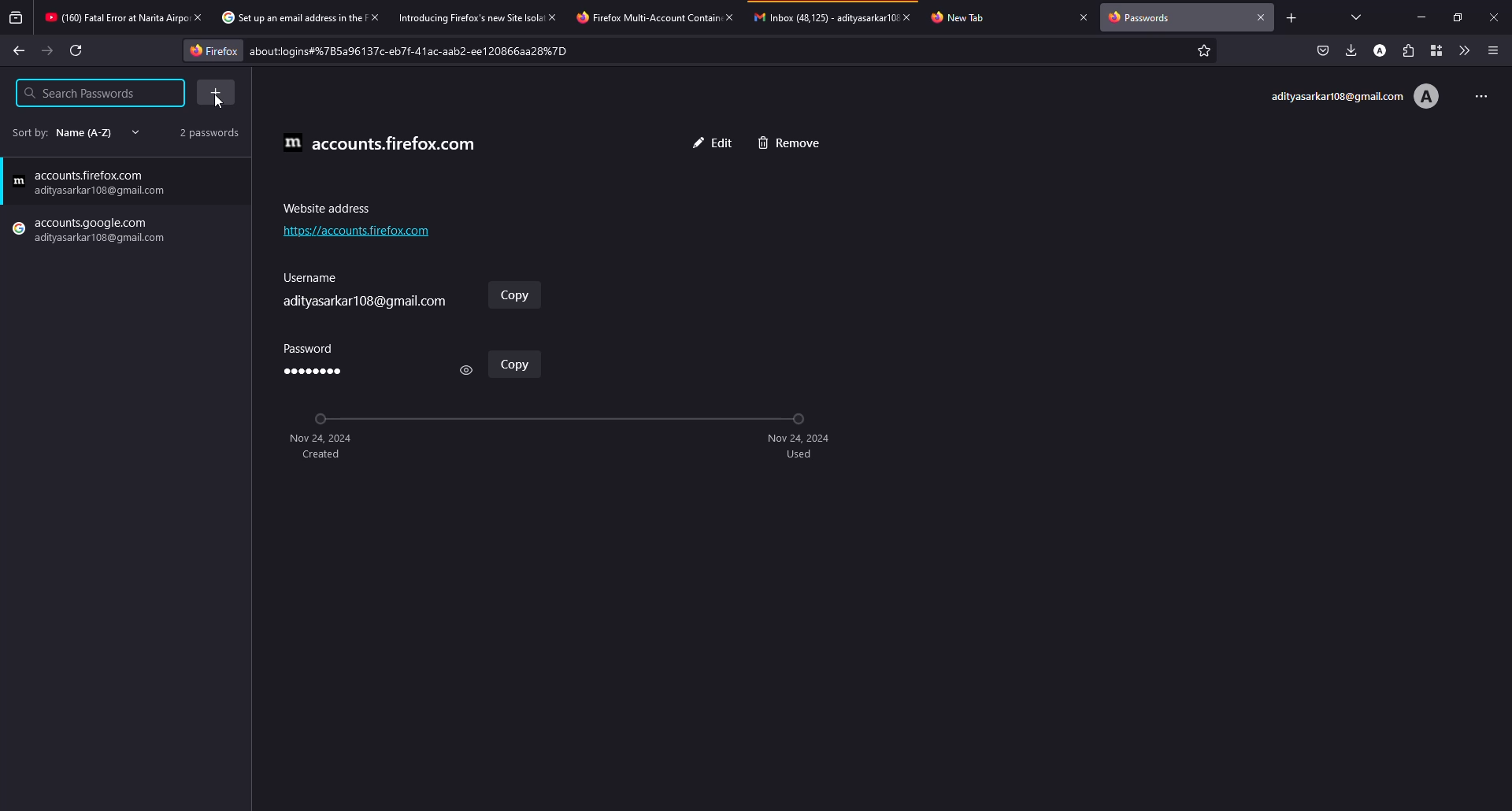 The width and height of the screenshot is (1512, 811). I want to click on 2 passwords, so click(203, 131).